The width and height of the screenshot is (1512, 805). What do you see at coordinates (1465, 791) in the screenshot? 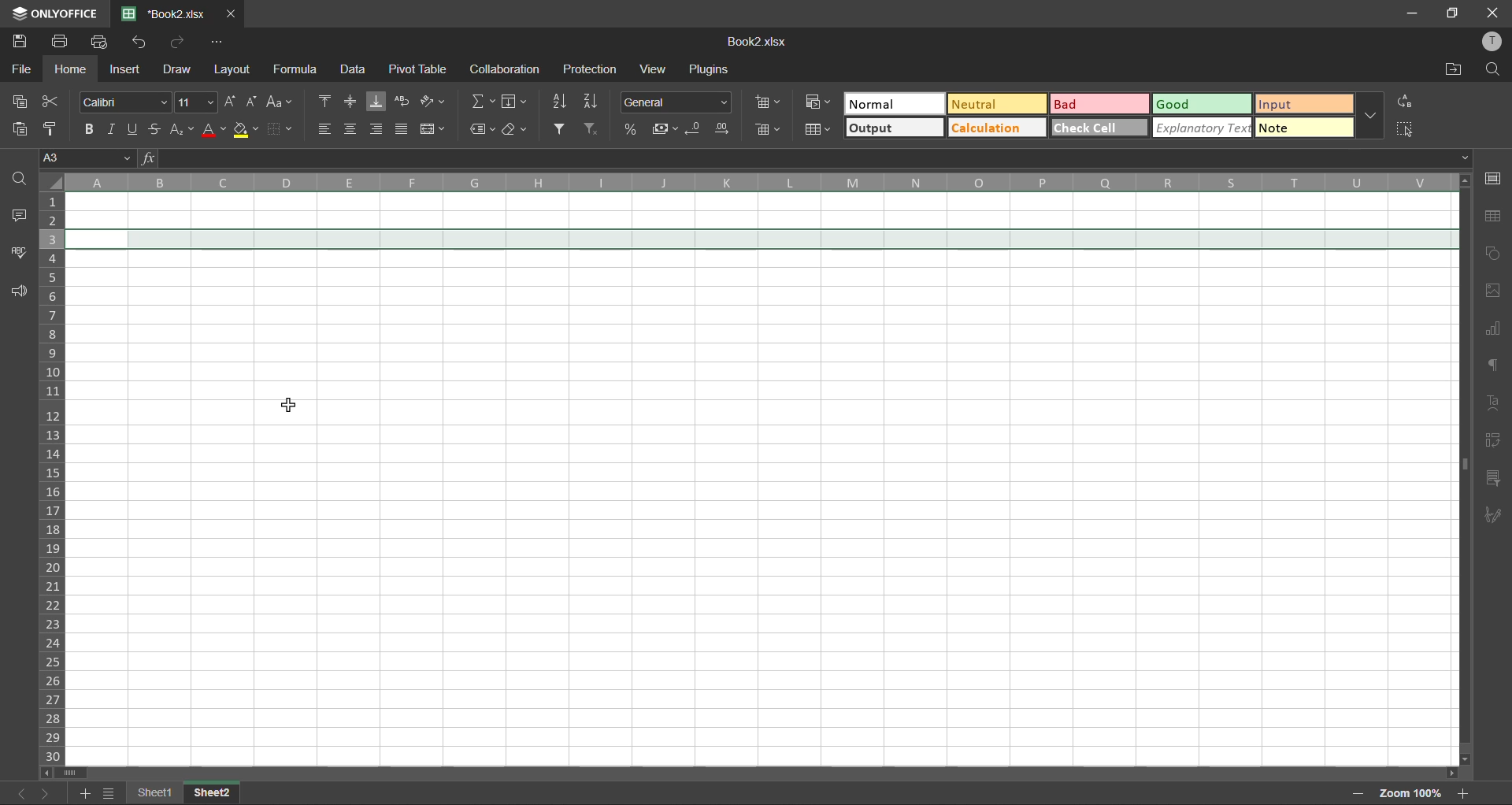
I see `zoom in` at bounding box center [1465, 791].